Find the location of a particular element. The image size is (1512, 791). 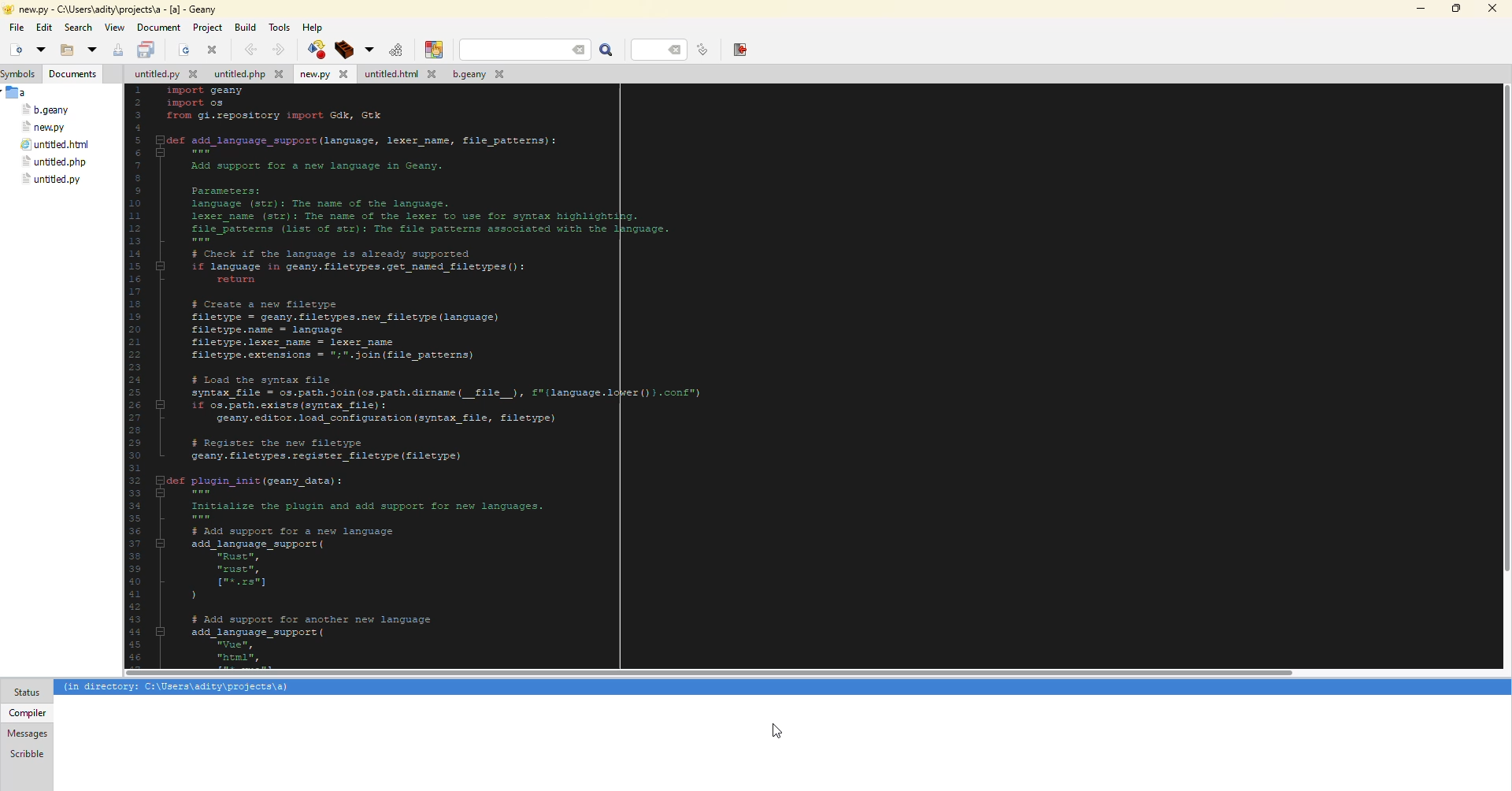

help is located at coordinates (313, 27).